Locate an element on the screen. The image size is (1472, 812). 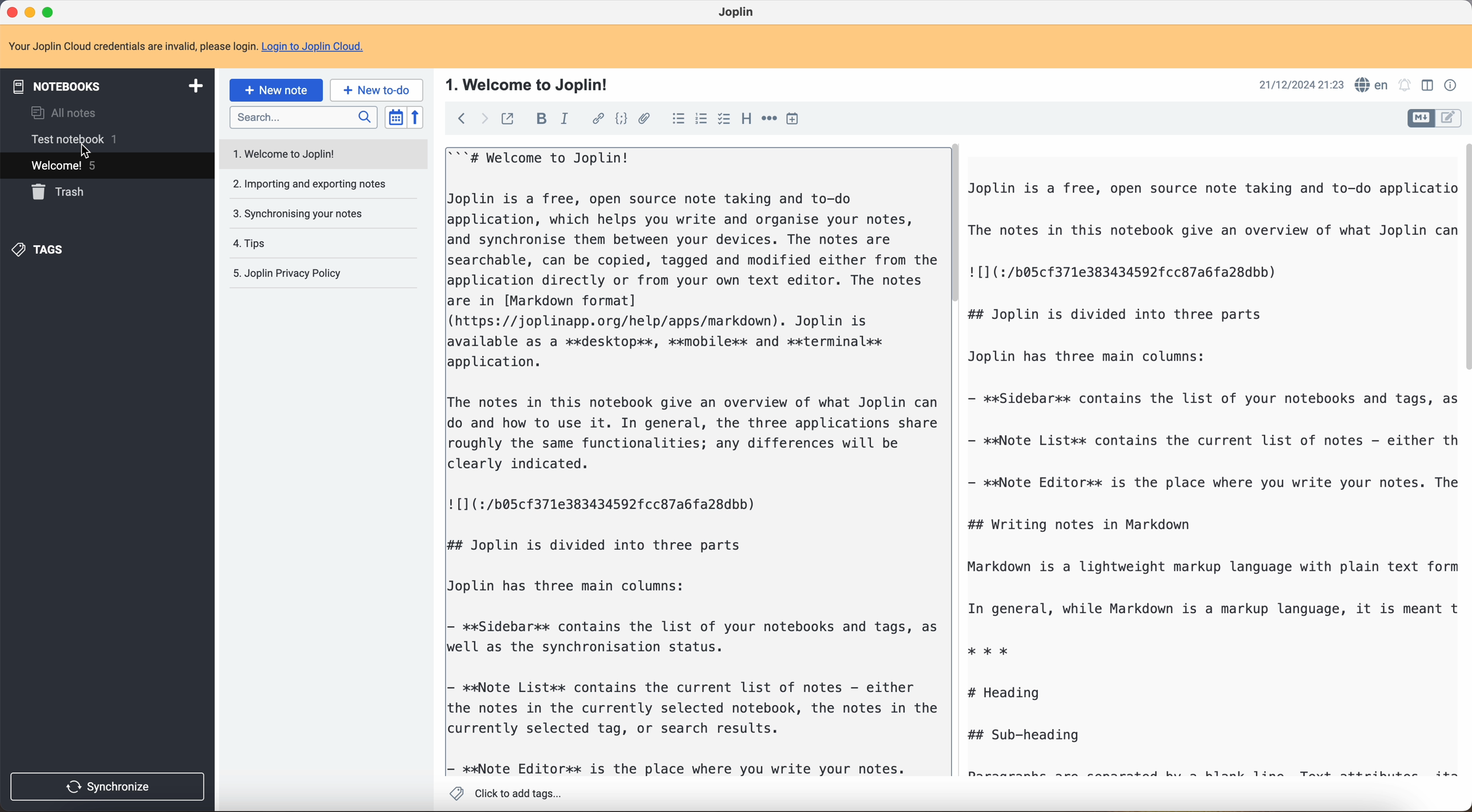
Login to Joplin Cloud is located at coordinates (313, 47).